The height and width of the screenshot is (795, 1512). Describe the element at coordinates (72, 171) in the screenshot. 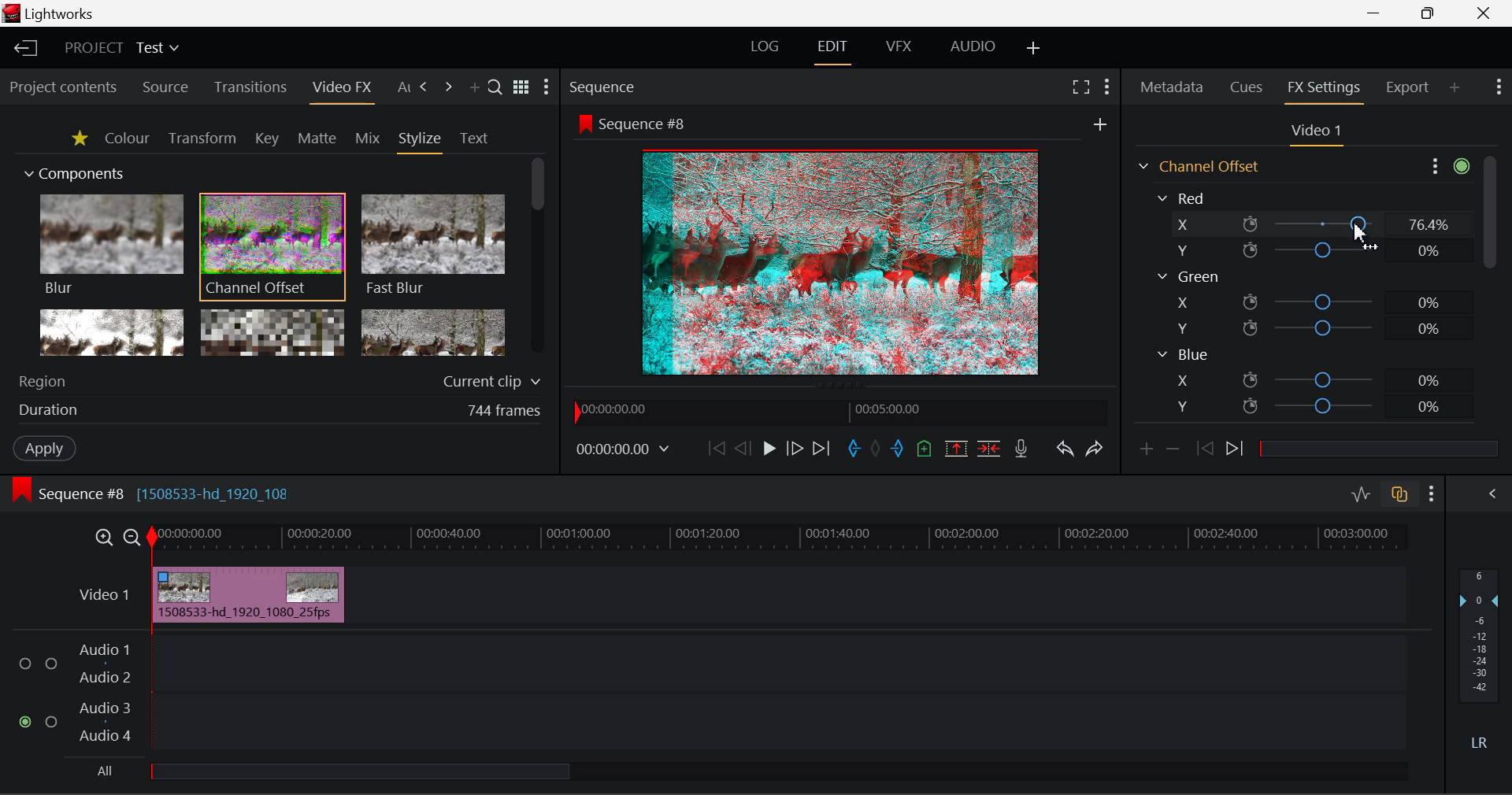

I see `Components Section` at that location.